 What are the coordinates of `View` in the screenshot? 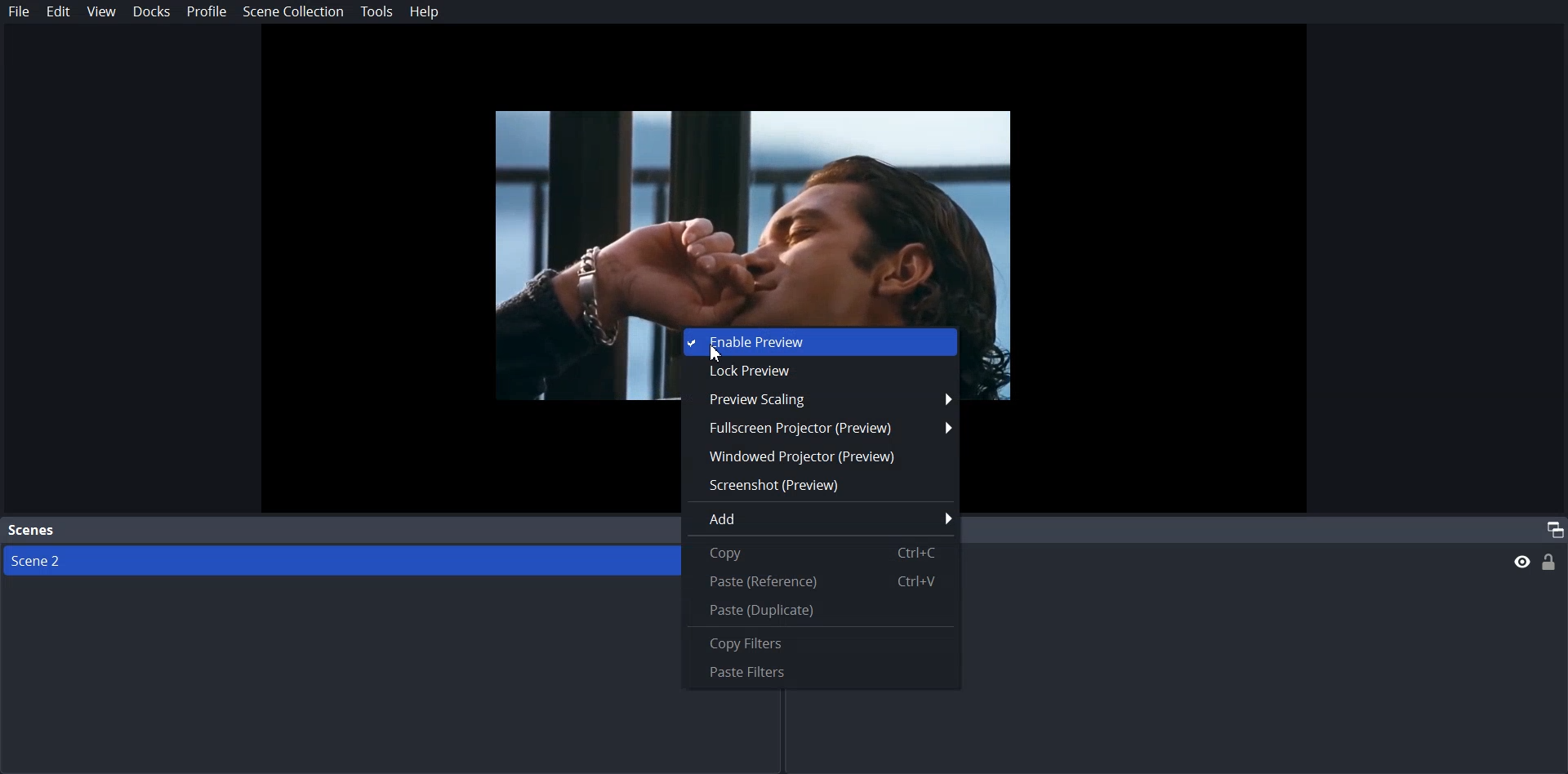 It's located at (100, 12).